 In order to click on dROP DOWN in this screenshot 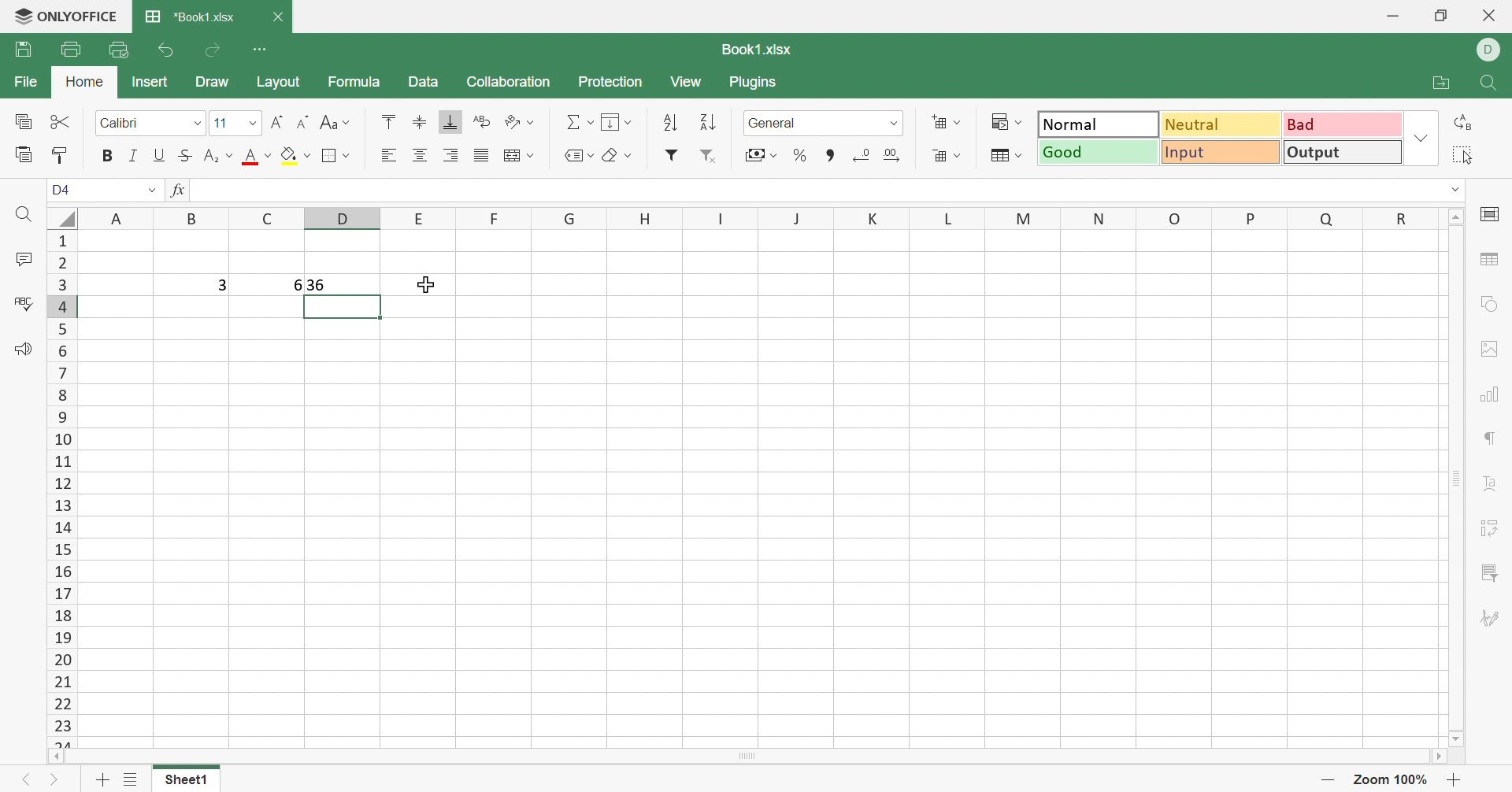, I will do `click(1458, 191)`.